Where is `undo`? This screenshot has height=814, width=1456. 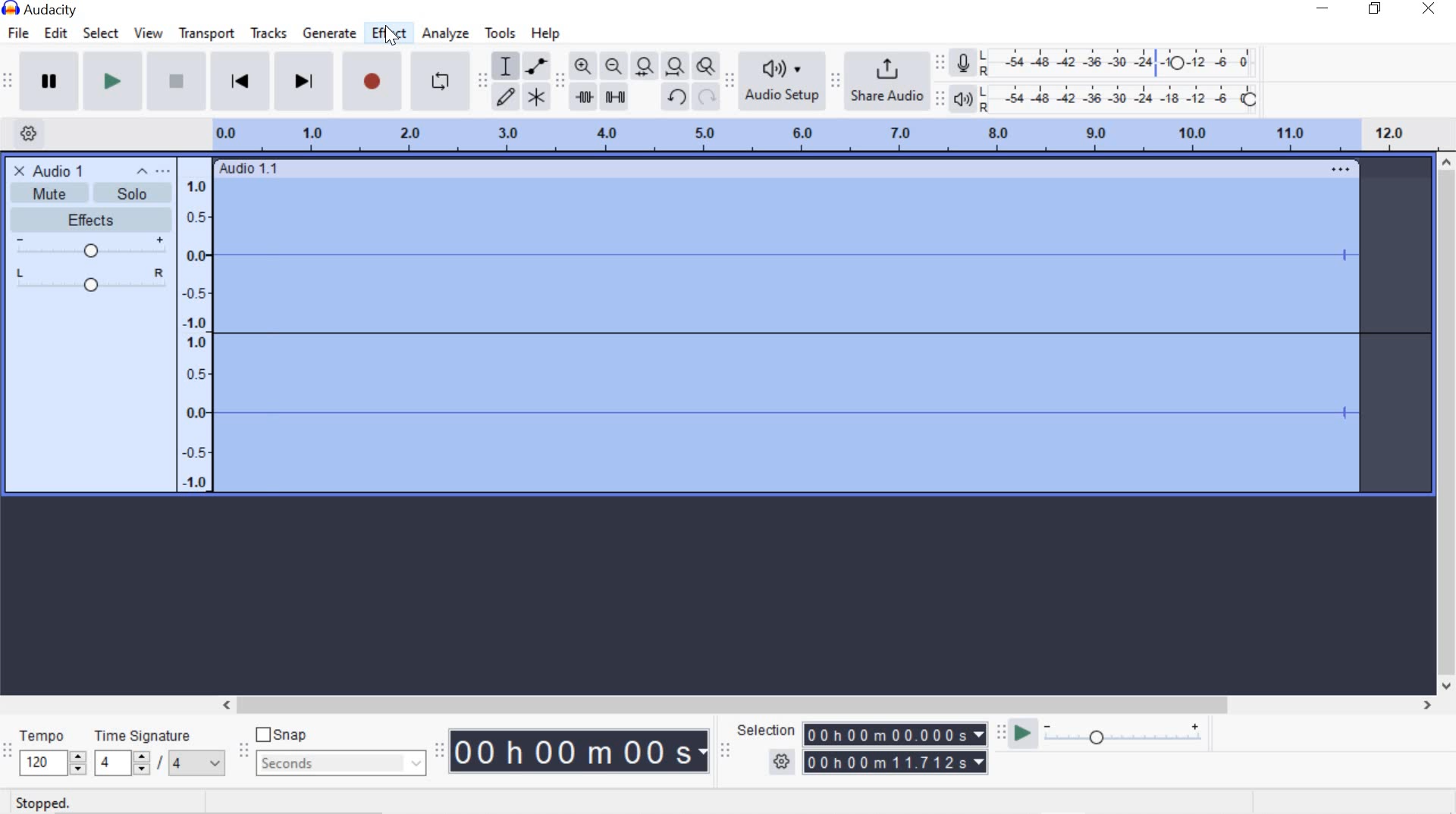
undo is located at coordinates (676, 96).